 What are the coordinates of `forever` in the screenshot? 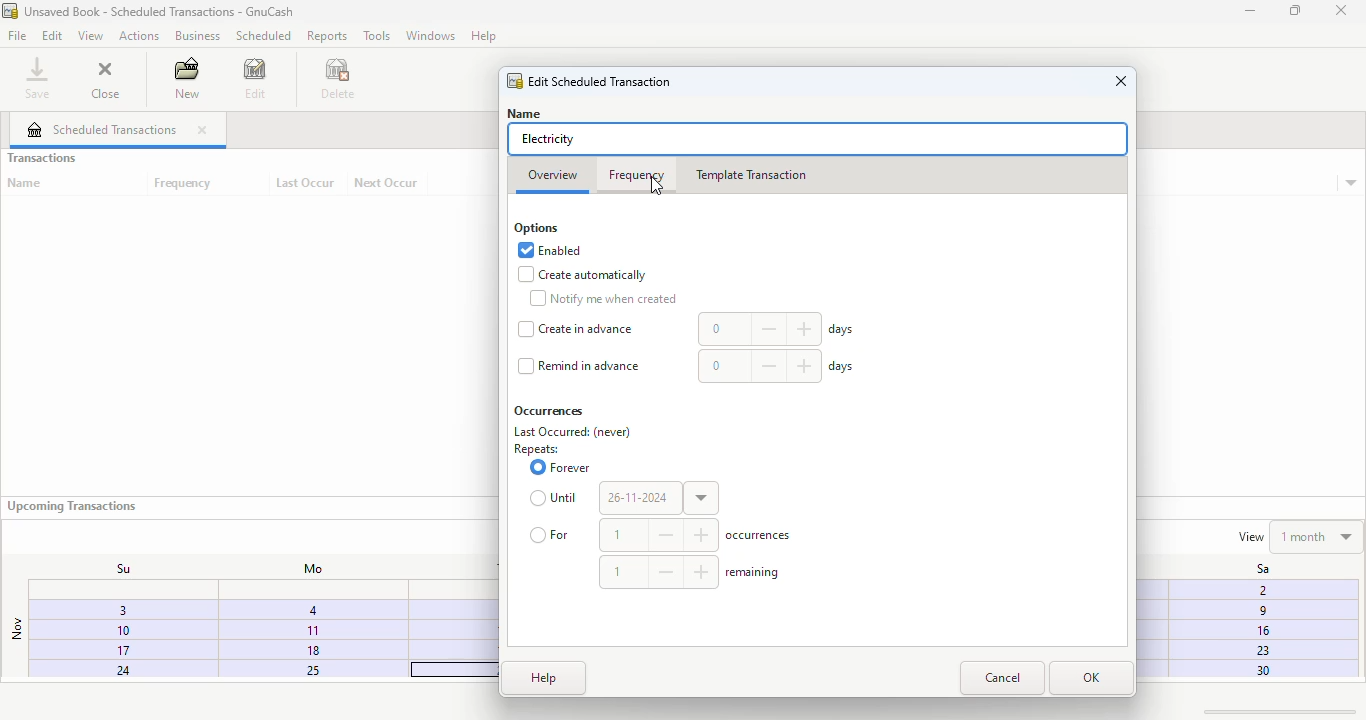 It's located at (560, 467).